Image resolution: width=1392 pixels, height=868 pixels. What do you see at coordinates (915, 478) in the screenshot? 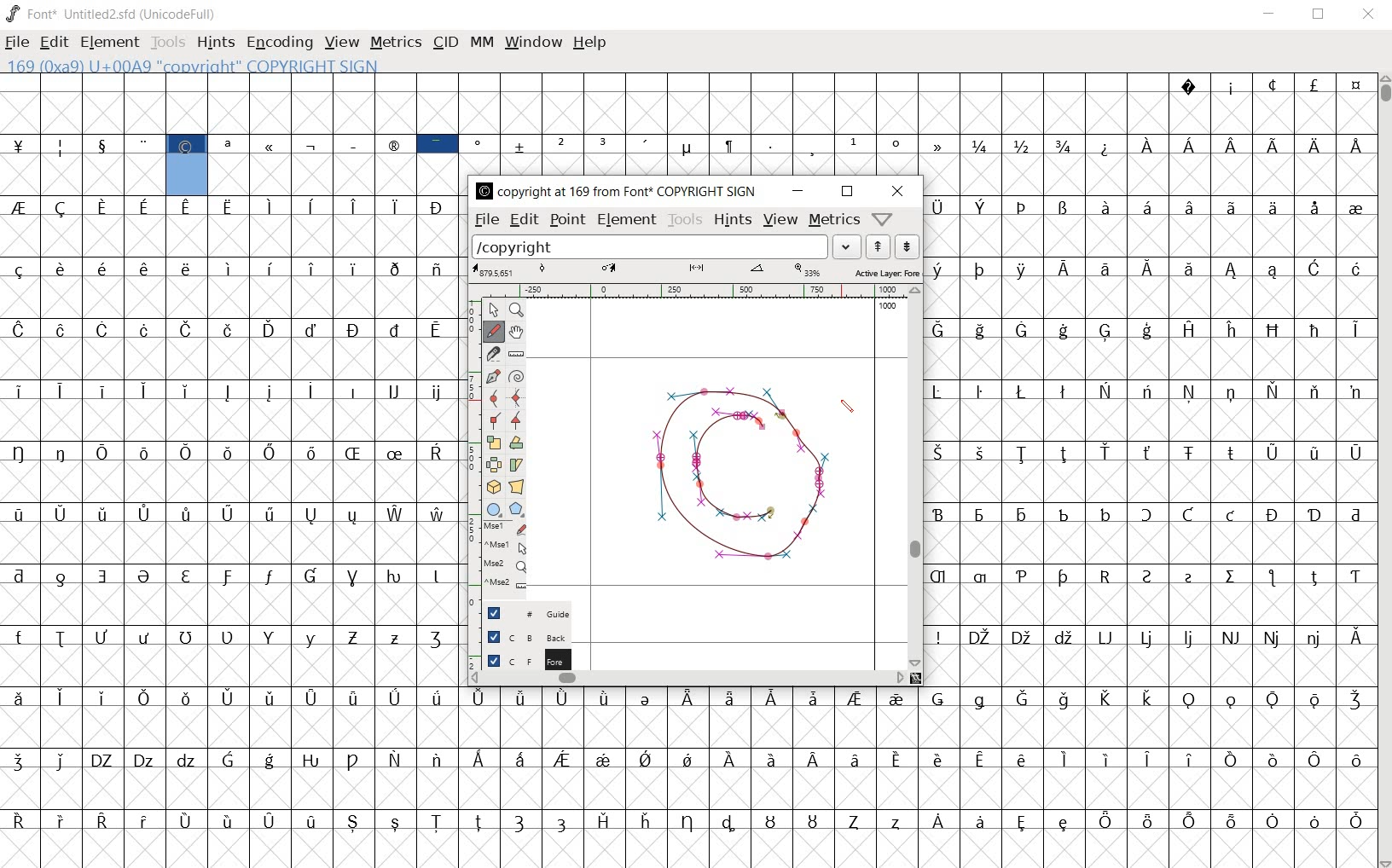
I see `scrollbar` at bounding box center [915, 478].